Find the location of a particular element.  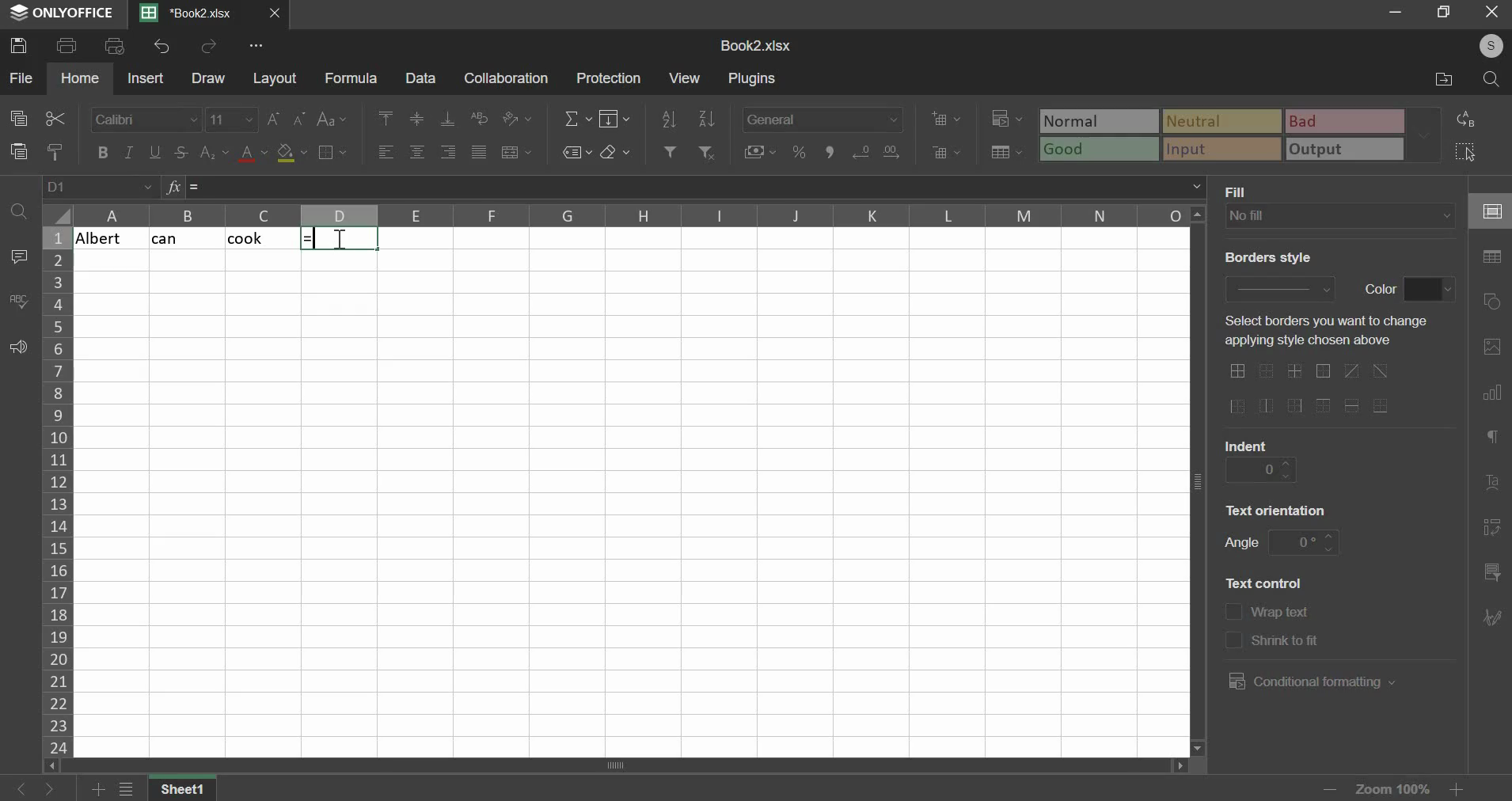

italic is located at coordinates (128, 152).